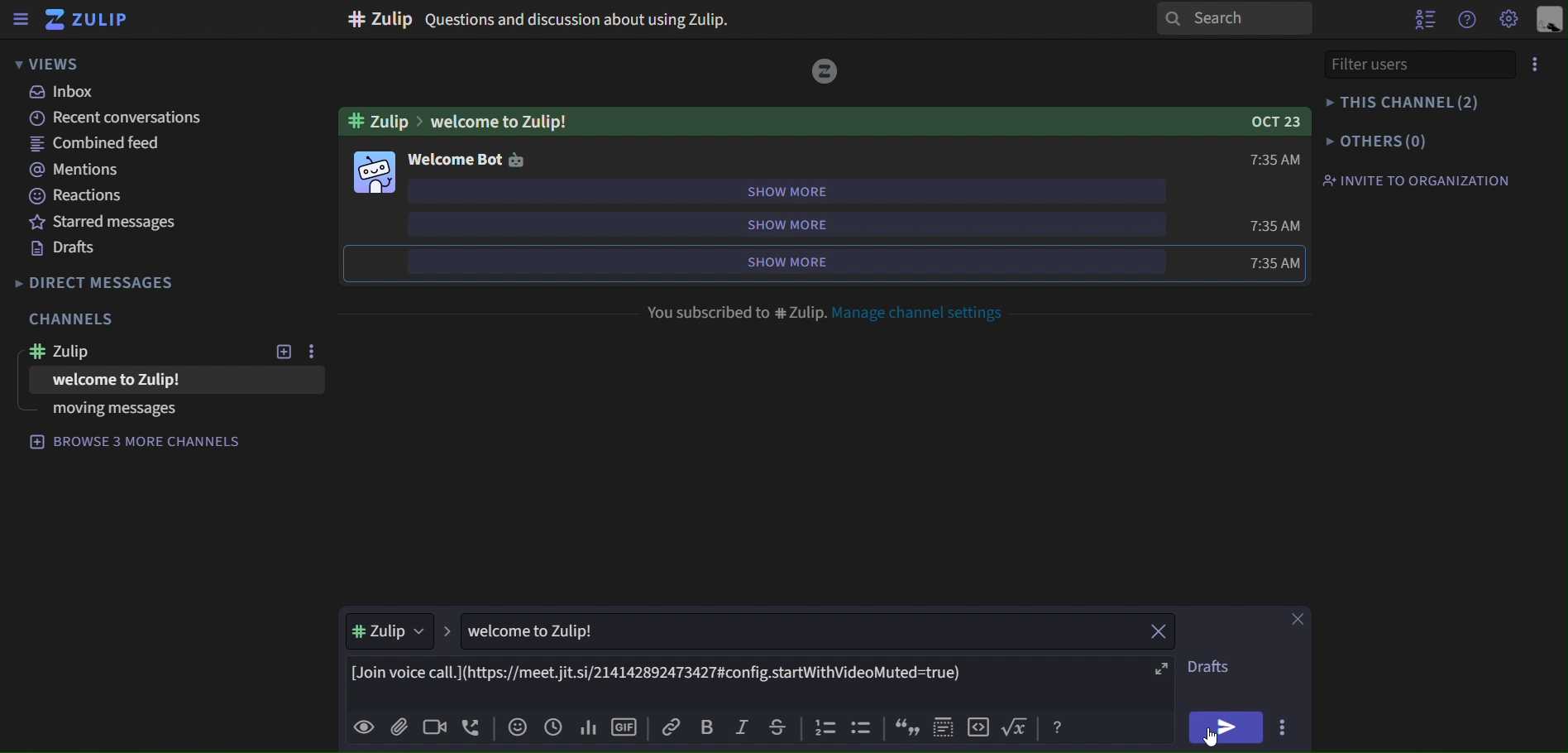  Describe the element at coordinates (779, 729) in the screenshot. I see `strikethrough` at that location.